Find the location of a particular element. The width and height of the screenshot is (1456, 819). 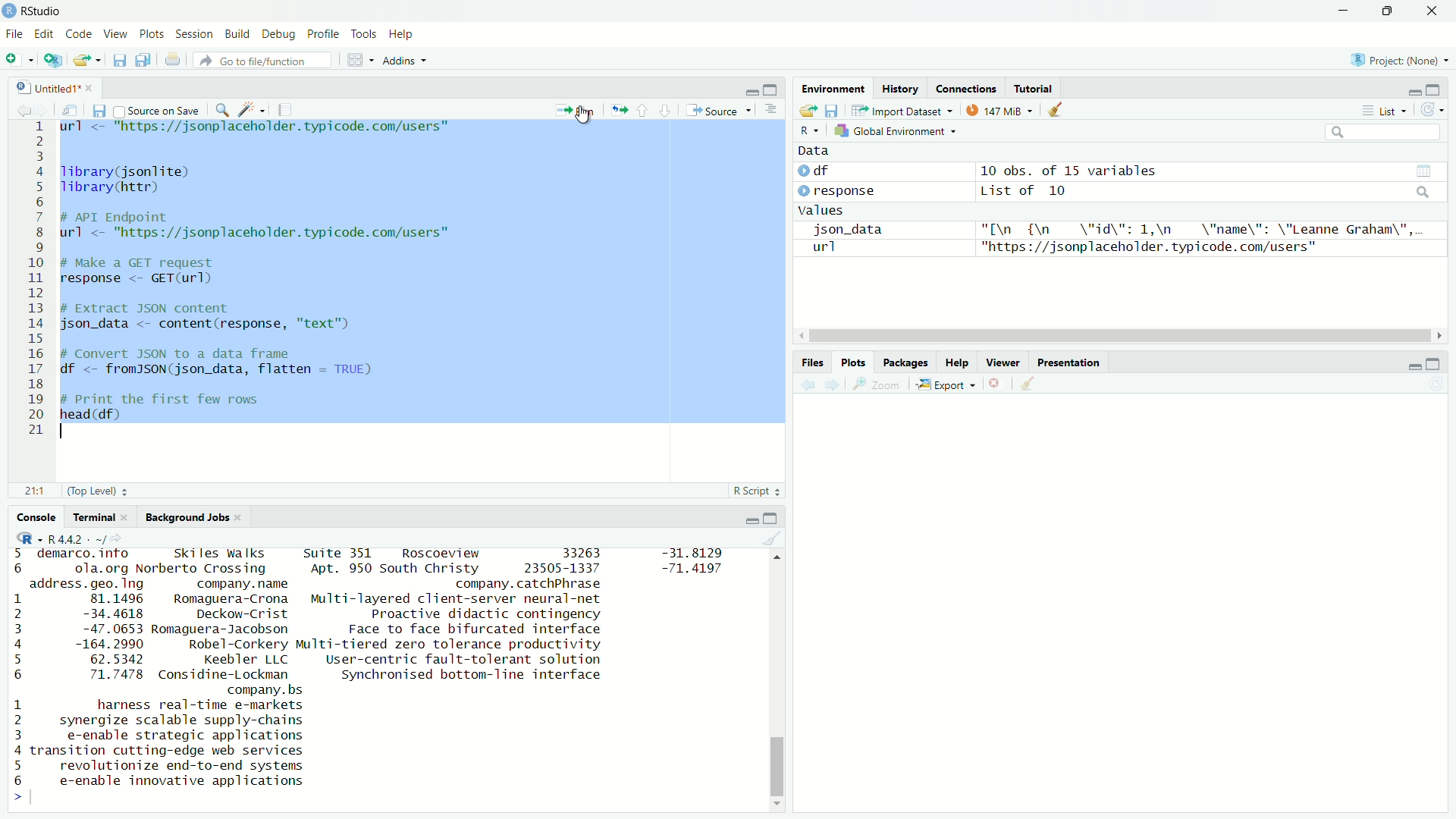

Viewer is located at coordinates (1004, 363).